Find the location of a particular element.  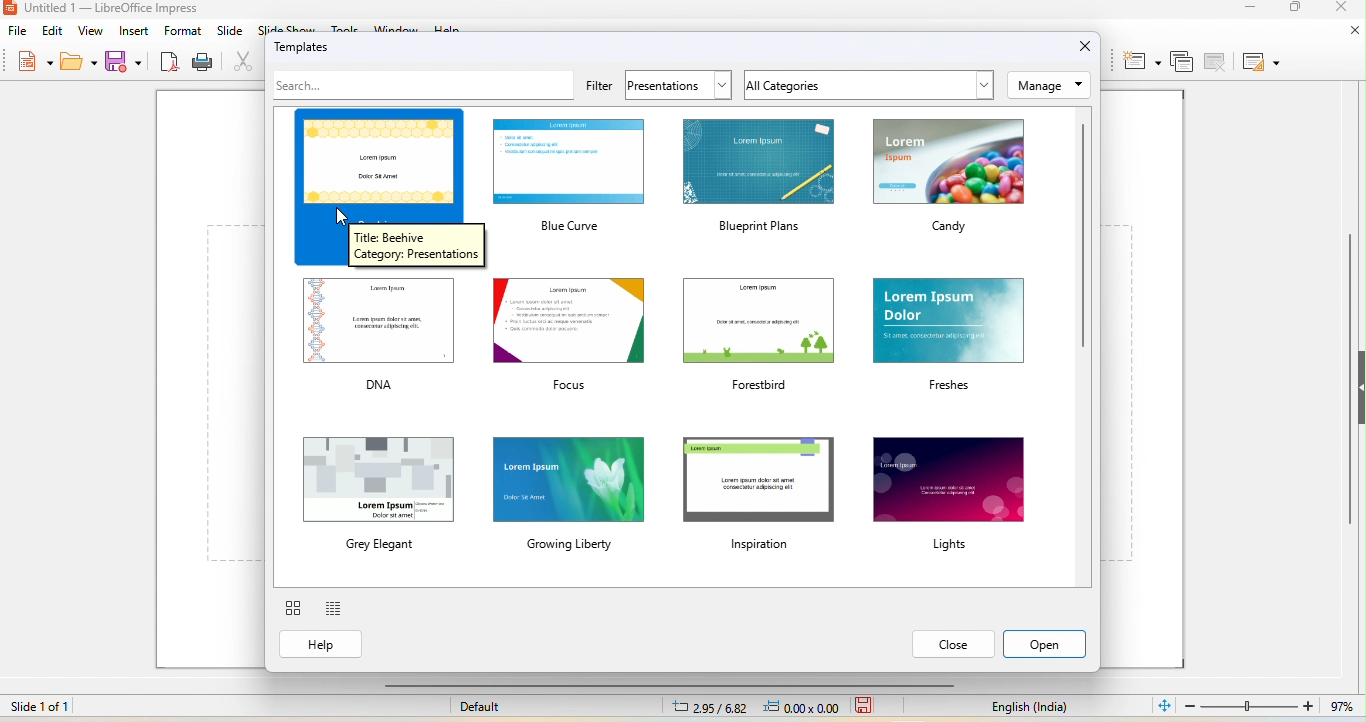

file is located at coordinates (18, 32).